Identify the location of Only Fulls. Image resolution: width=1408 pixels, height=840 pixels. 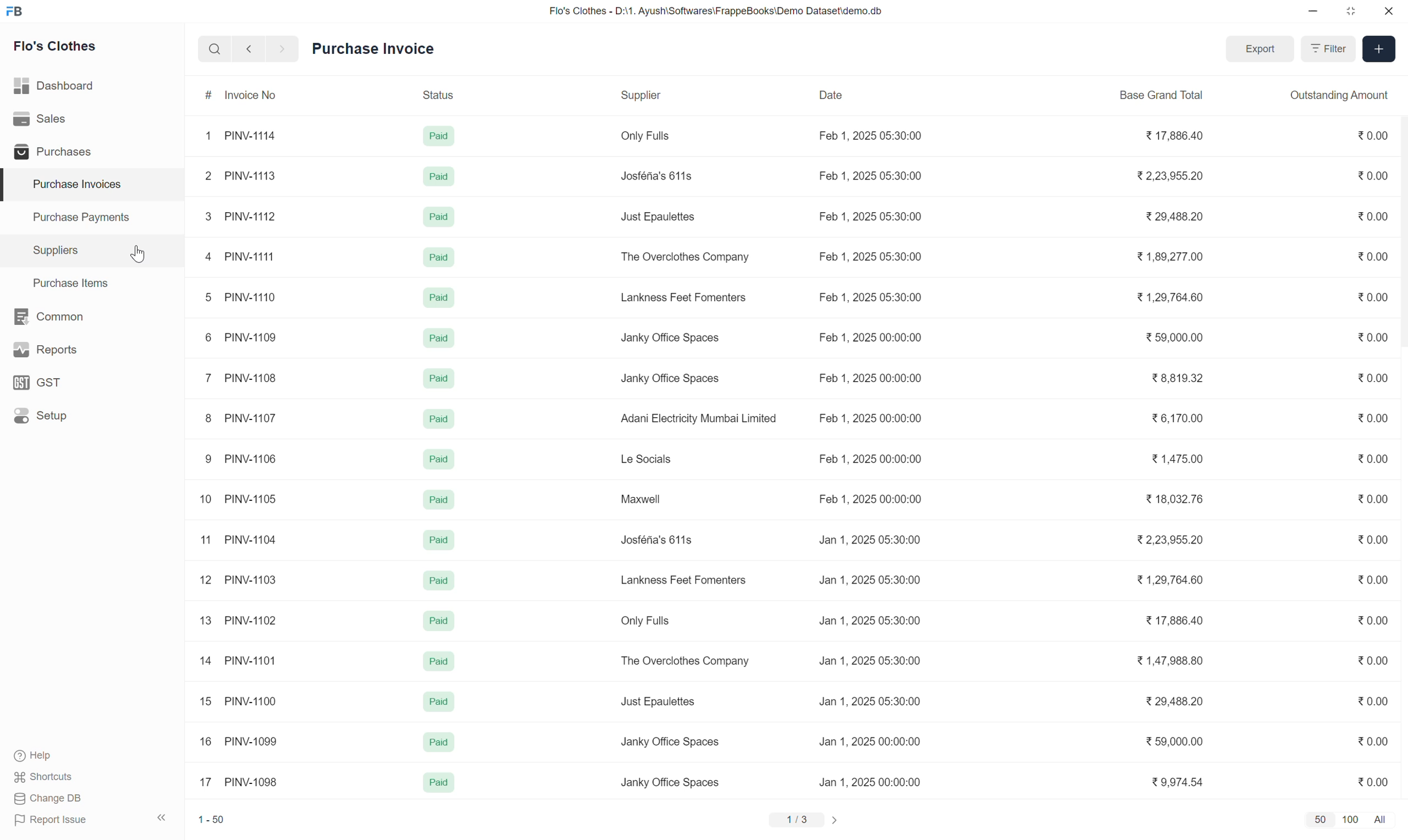
(648, 135).